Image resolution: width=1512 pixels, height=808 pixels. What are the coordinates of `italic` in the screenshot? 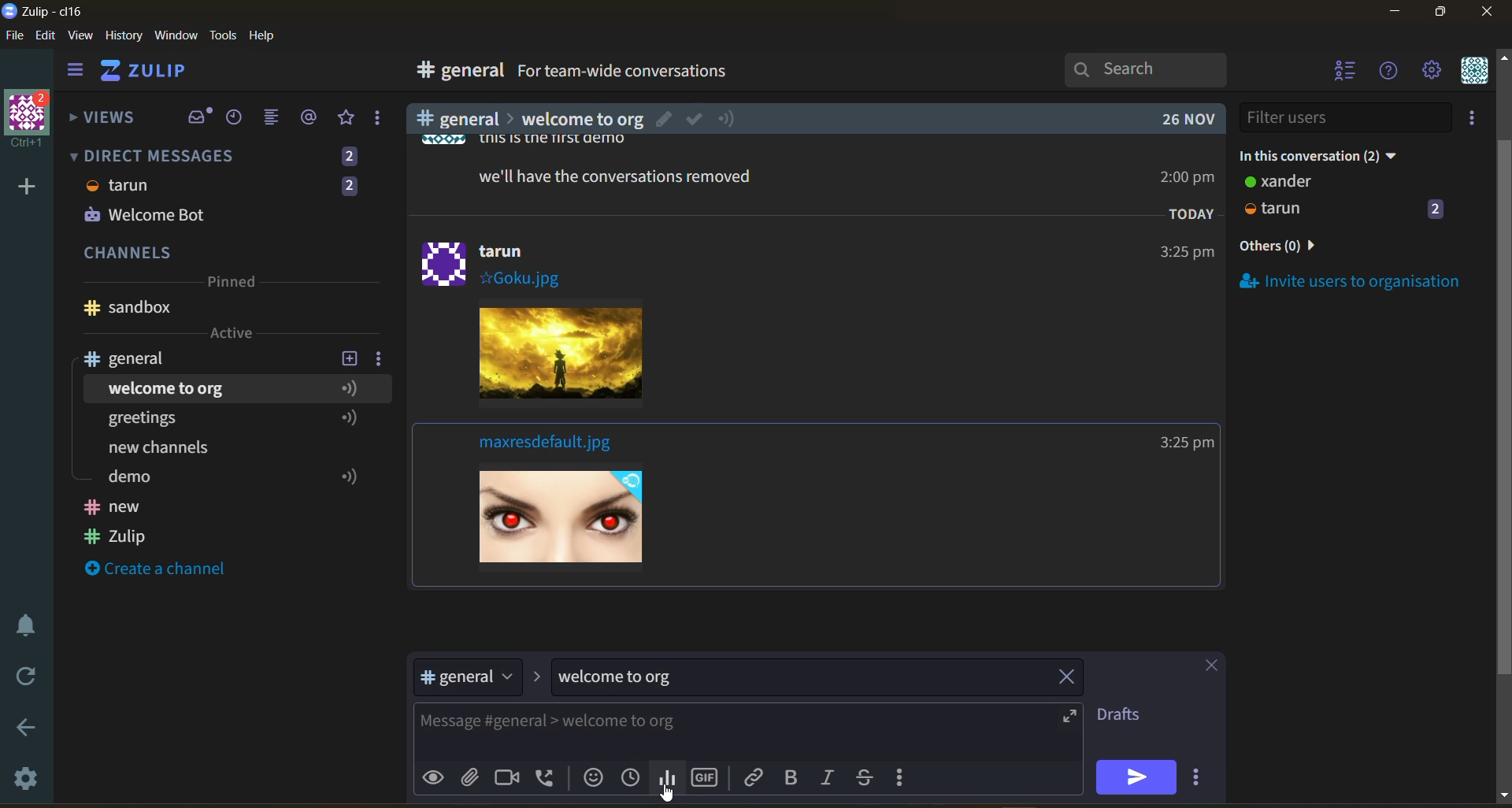 It's located at (831, 779).